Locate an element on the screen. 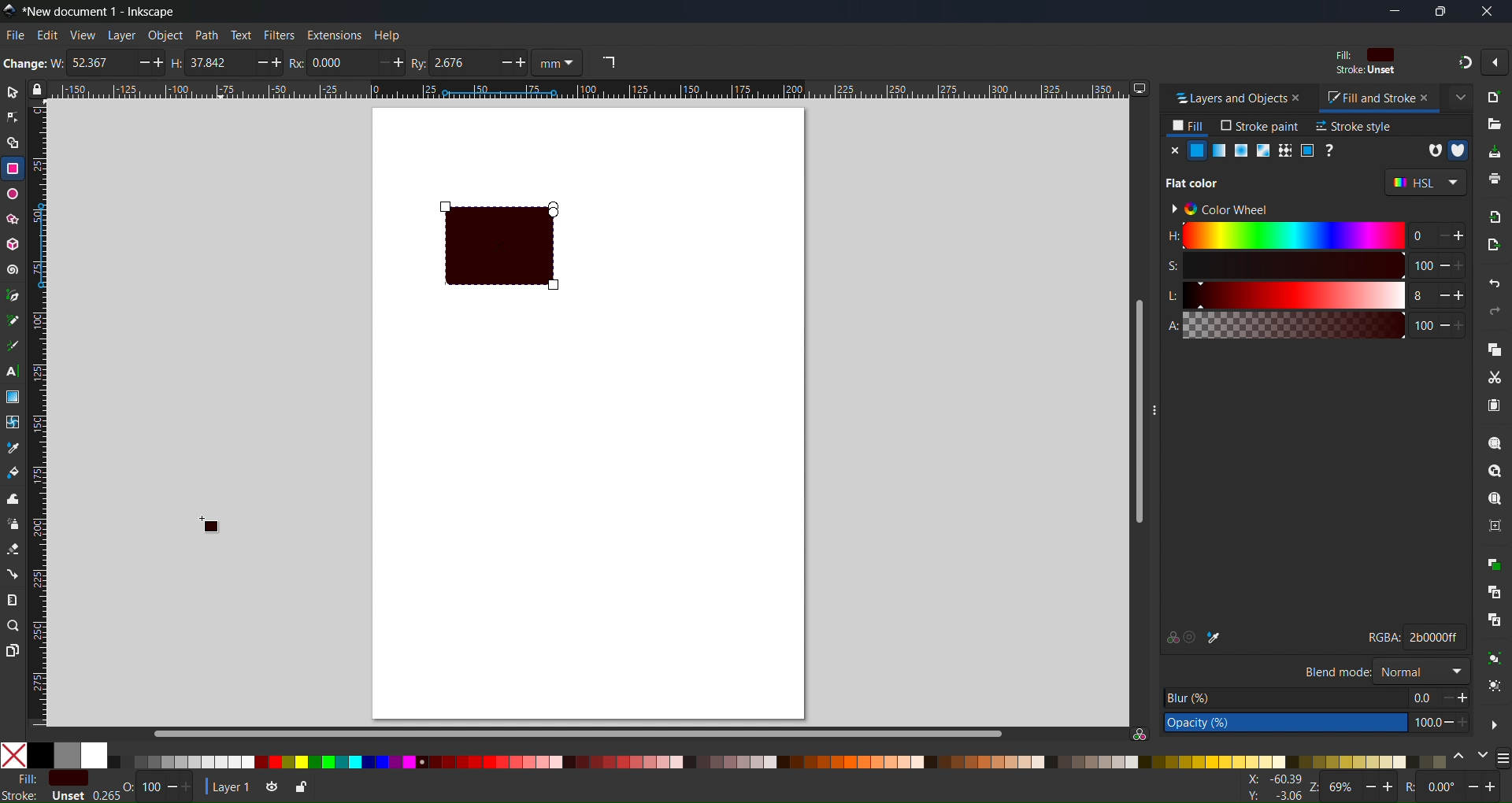 This screenshot has width=1512, height=803. Color hamburger menu is located at coordinates (1503, 759).